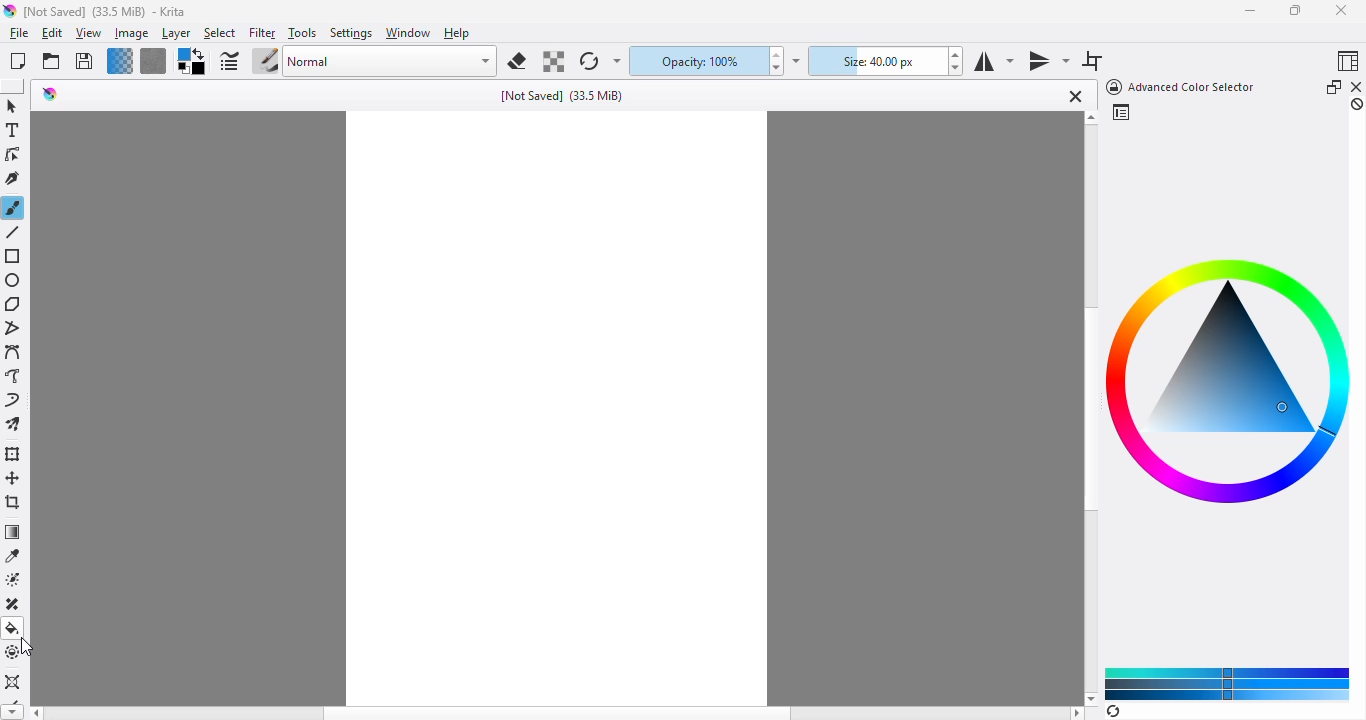 The width and height of the screenshot is (1366, 720). What do you see at coordinates (517, 61) in the screenshot?
I see `set eraser mode` at bounding box center [517, 61].